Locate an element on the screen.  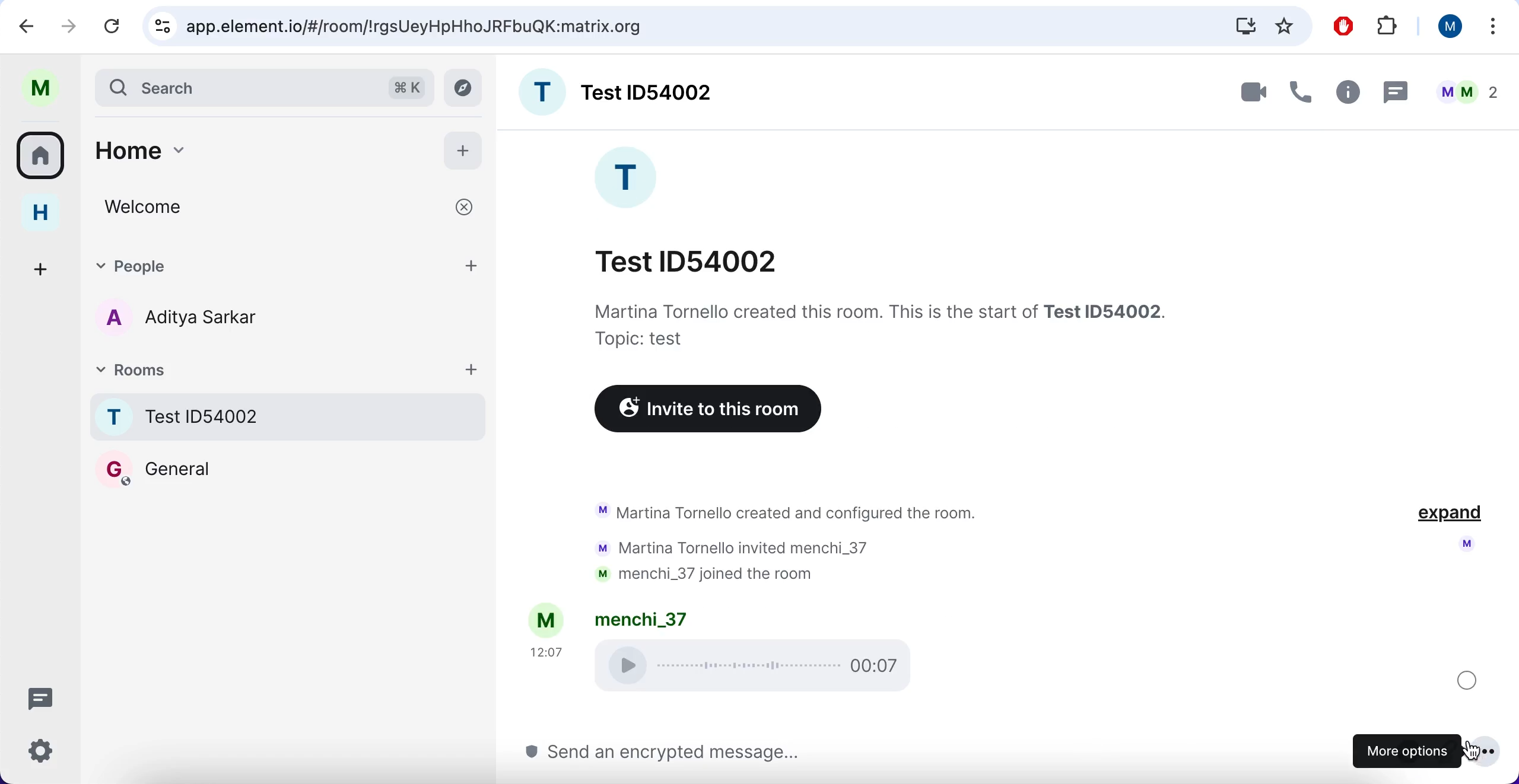
profile picture is located at coordinates (541, 92).